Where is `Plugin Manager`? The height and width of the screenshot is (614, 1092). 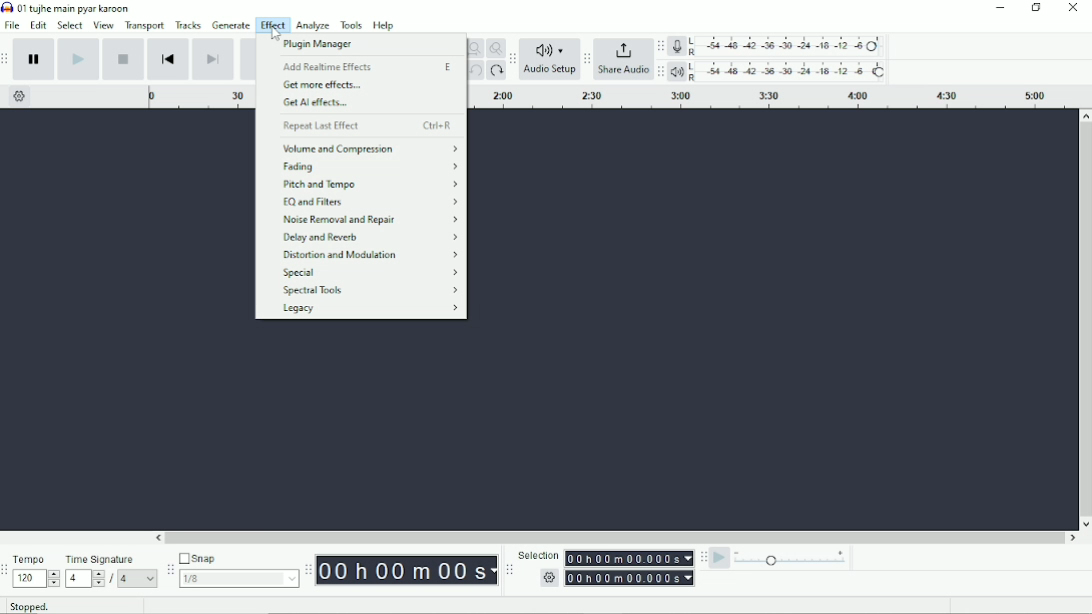
Plugin Manager is located at coordinates (330, 45).